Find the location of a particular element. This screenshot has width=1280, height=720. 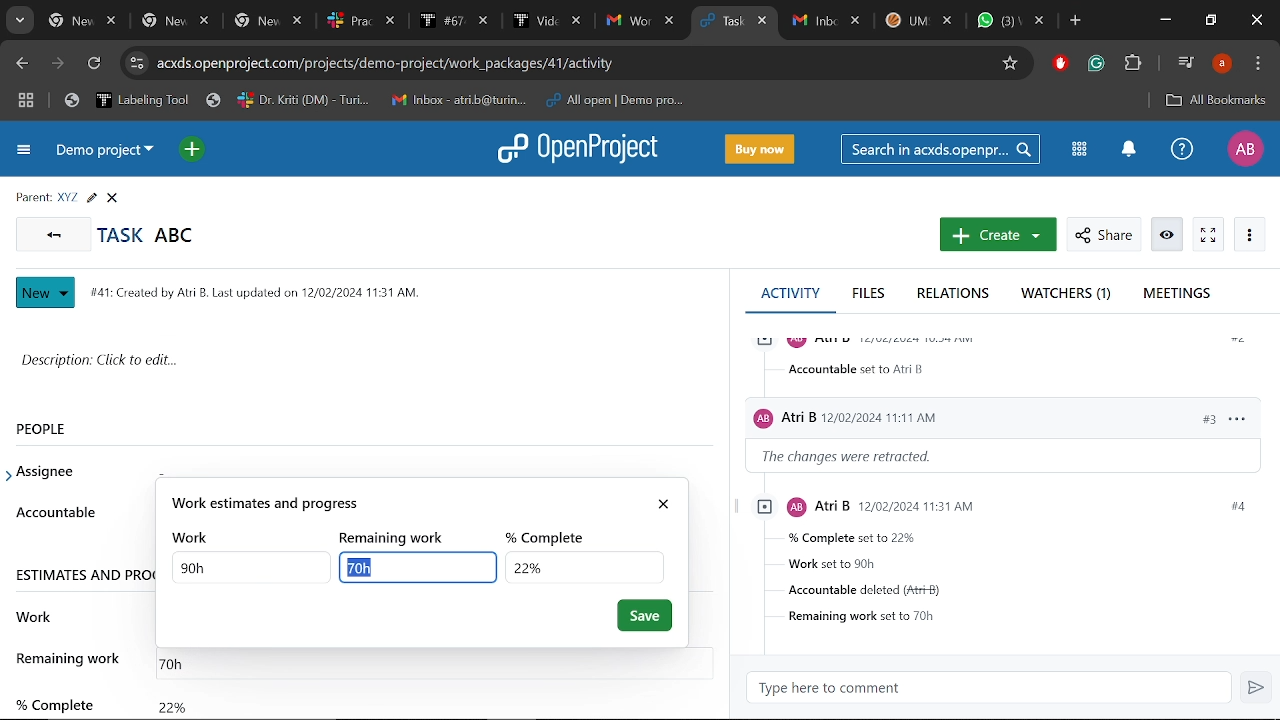

Grmmarly is located at coordinates (1098, 66).